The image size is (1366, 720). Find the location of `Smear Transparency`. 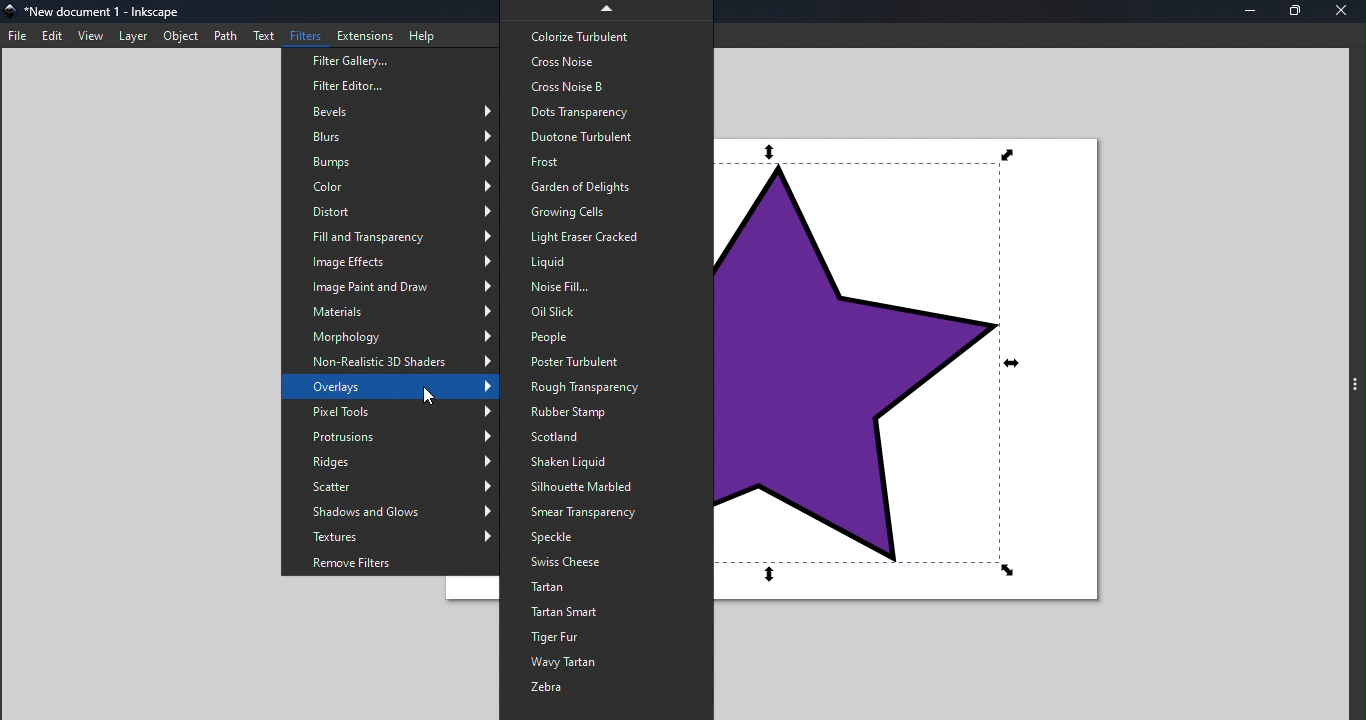

Smear Transparency is located at coordinates (608, 512).